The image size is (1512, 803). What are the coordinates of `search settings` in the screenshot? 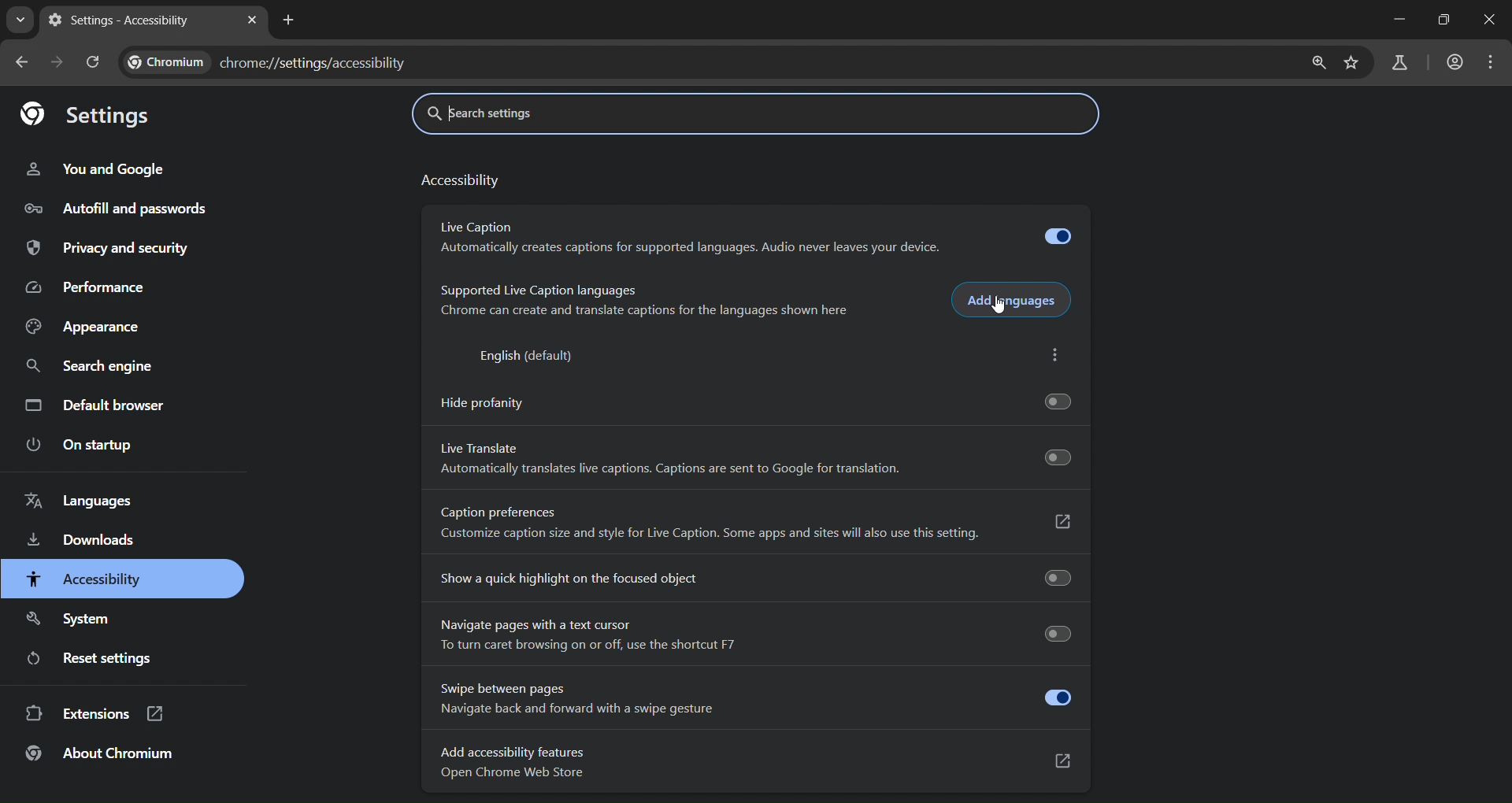 It's located at (533, 111).